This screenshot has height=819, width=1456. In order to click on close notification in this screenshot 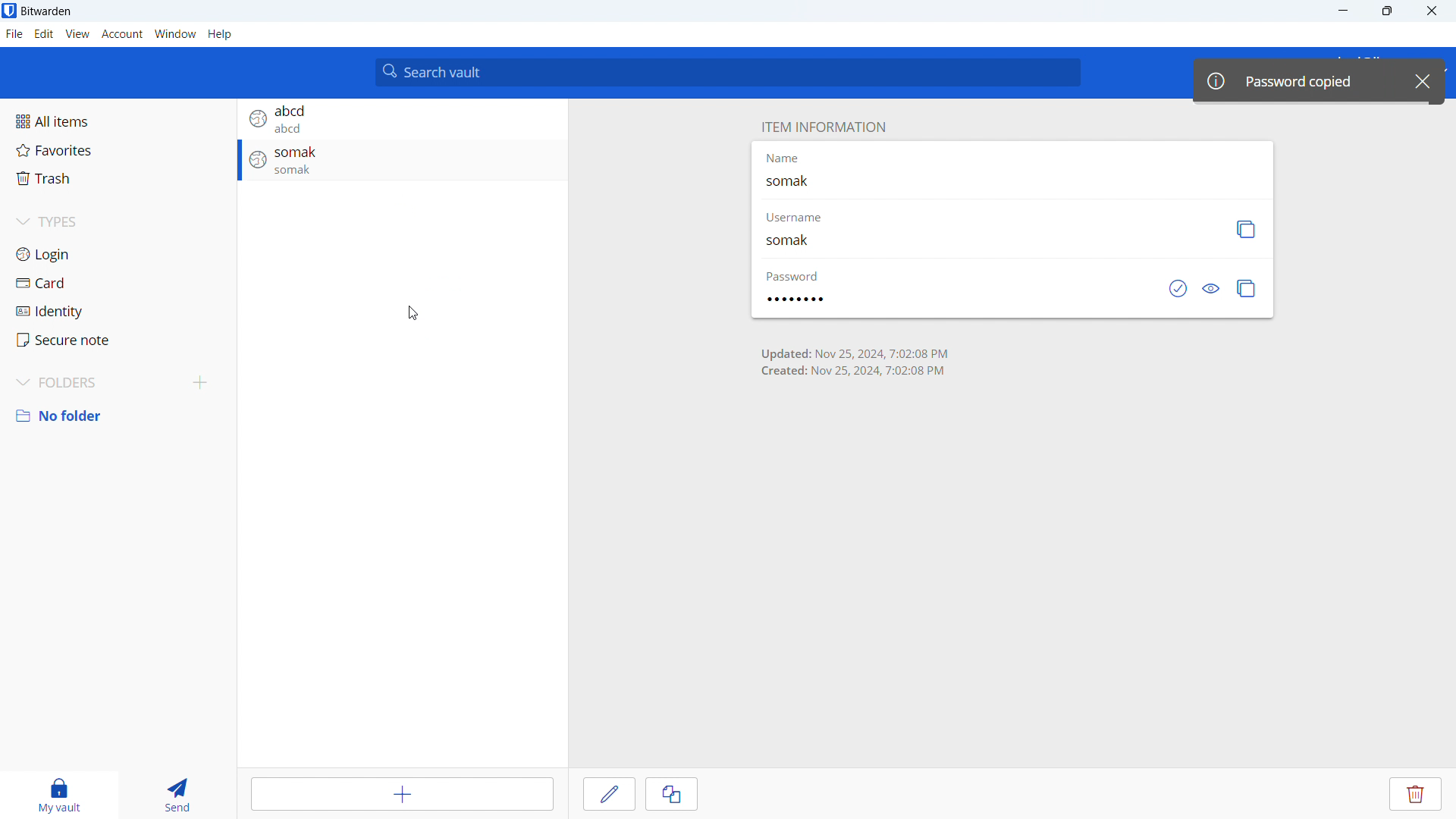, I will do `click(1423, 80)`.